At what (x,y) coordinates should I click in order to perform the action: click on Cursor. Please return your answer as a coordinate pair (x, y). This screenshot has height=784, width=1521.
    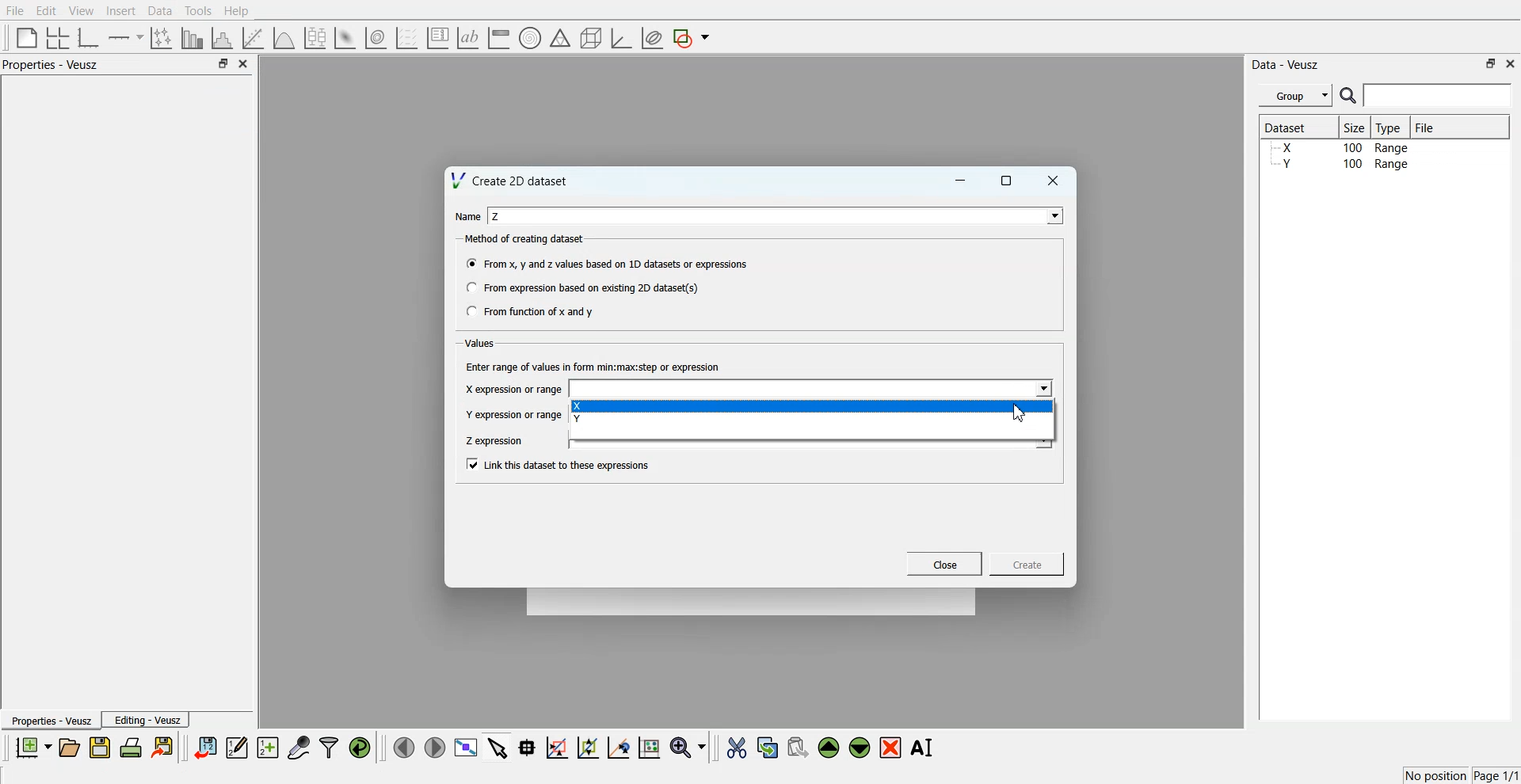
    Looking at the image, I should click on (1020, 413).